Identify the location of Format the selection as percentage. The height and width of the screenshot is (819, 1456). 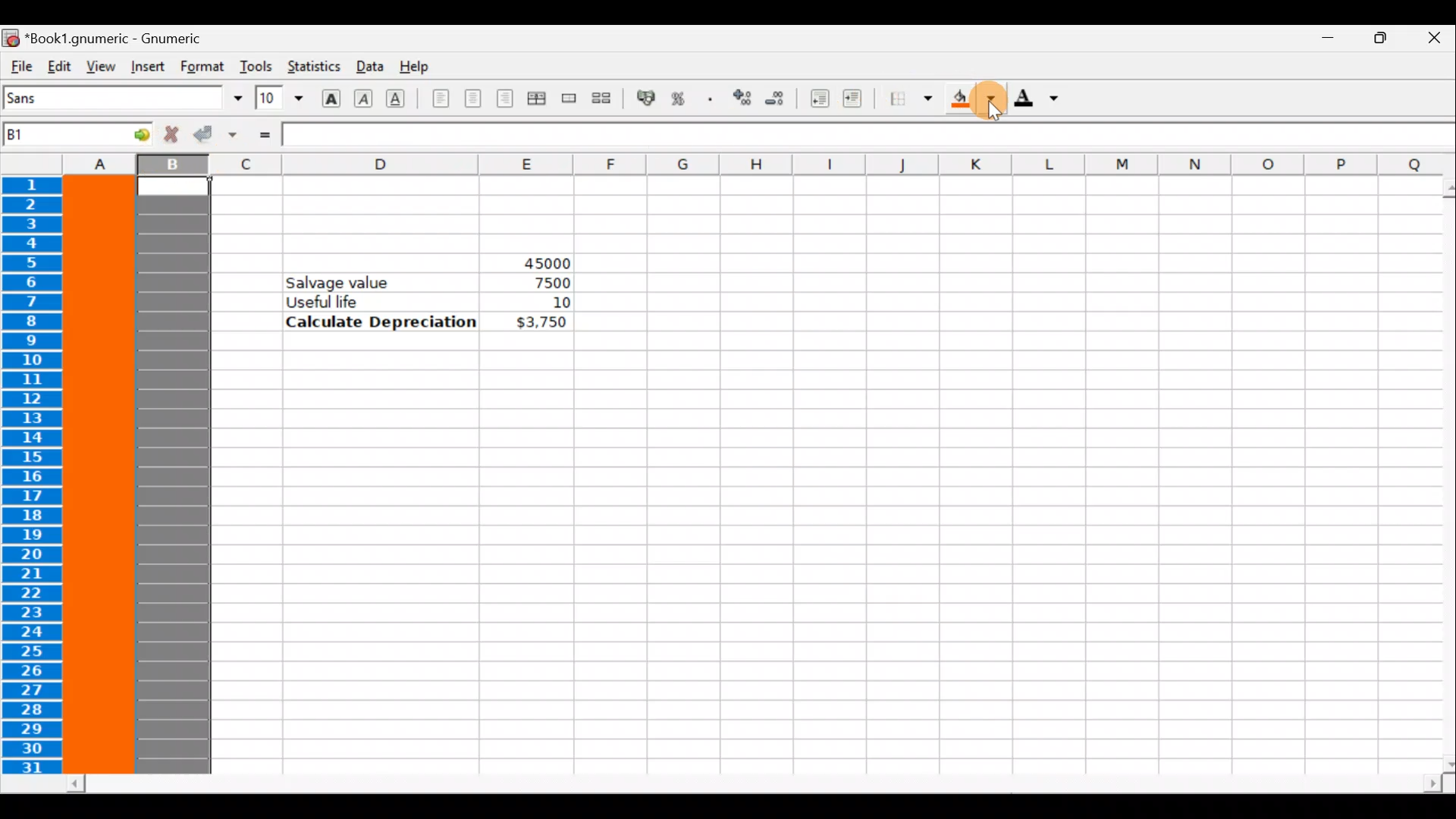
(681, 101).